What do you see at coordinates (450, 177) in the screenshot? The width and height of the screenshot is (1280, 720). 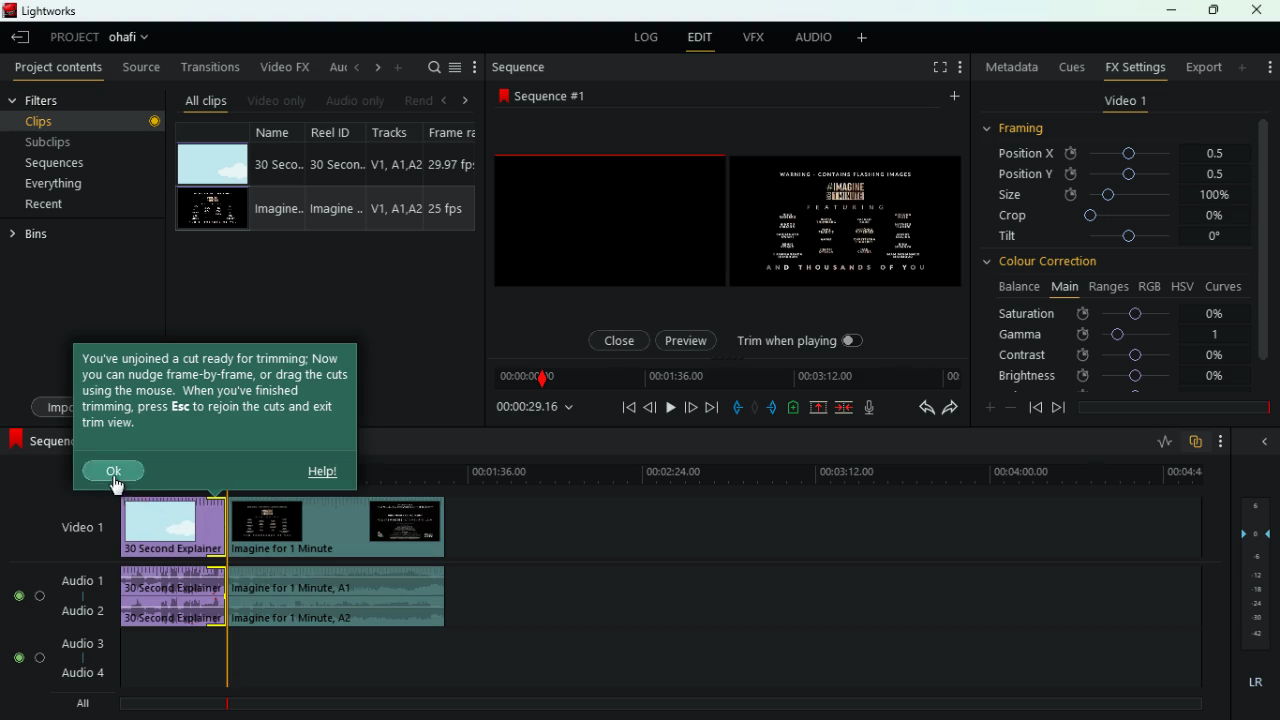 I see `frame` at bounding box center [450, 177].